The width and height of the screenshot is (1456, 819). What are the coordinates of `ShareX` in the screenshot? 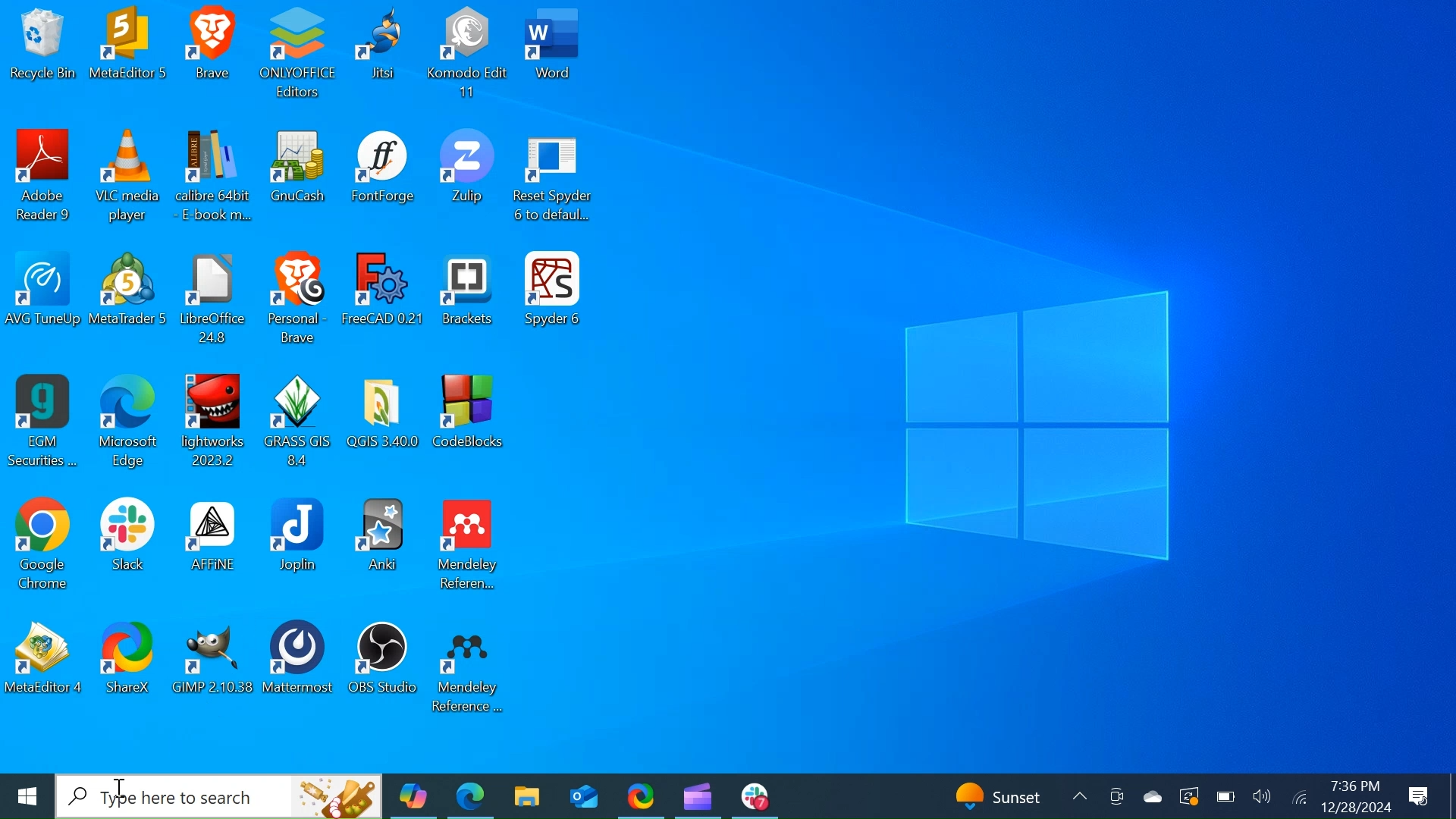 It's located at (641, 795).